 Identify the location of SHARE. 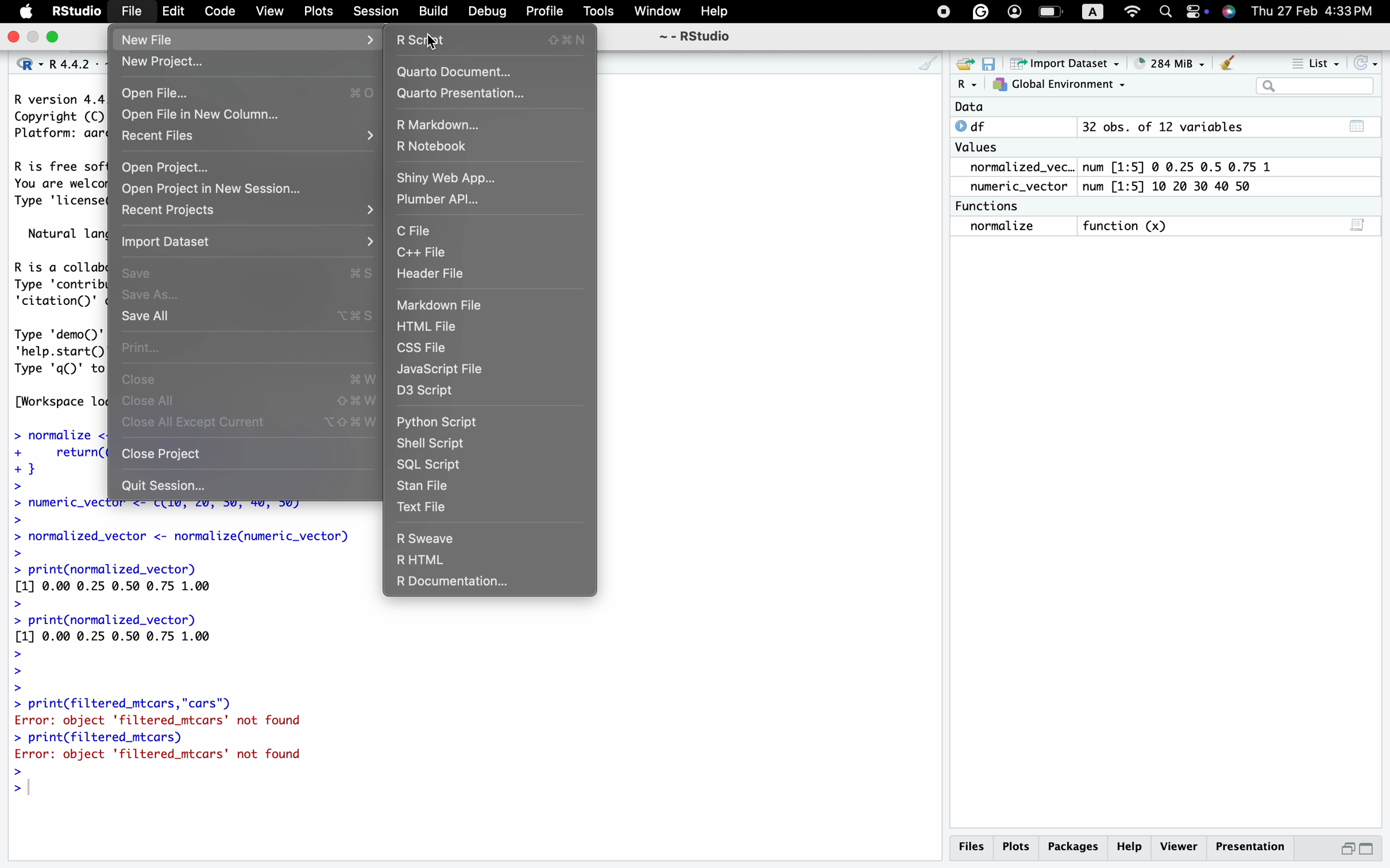
(963, 64).